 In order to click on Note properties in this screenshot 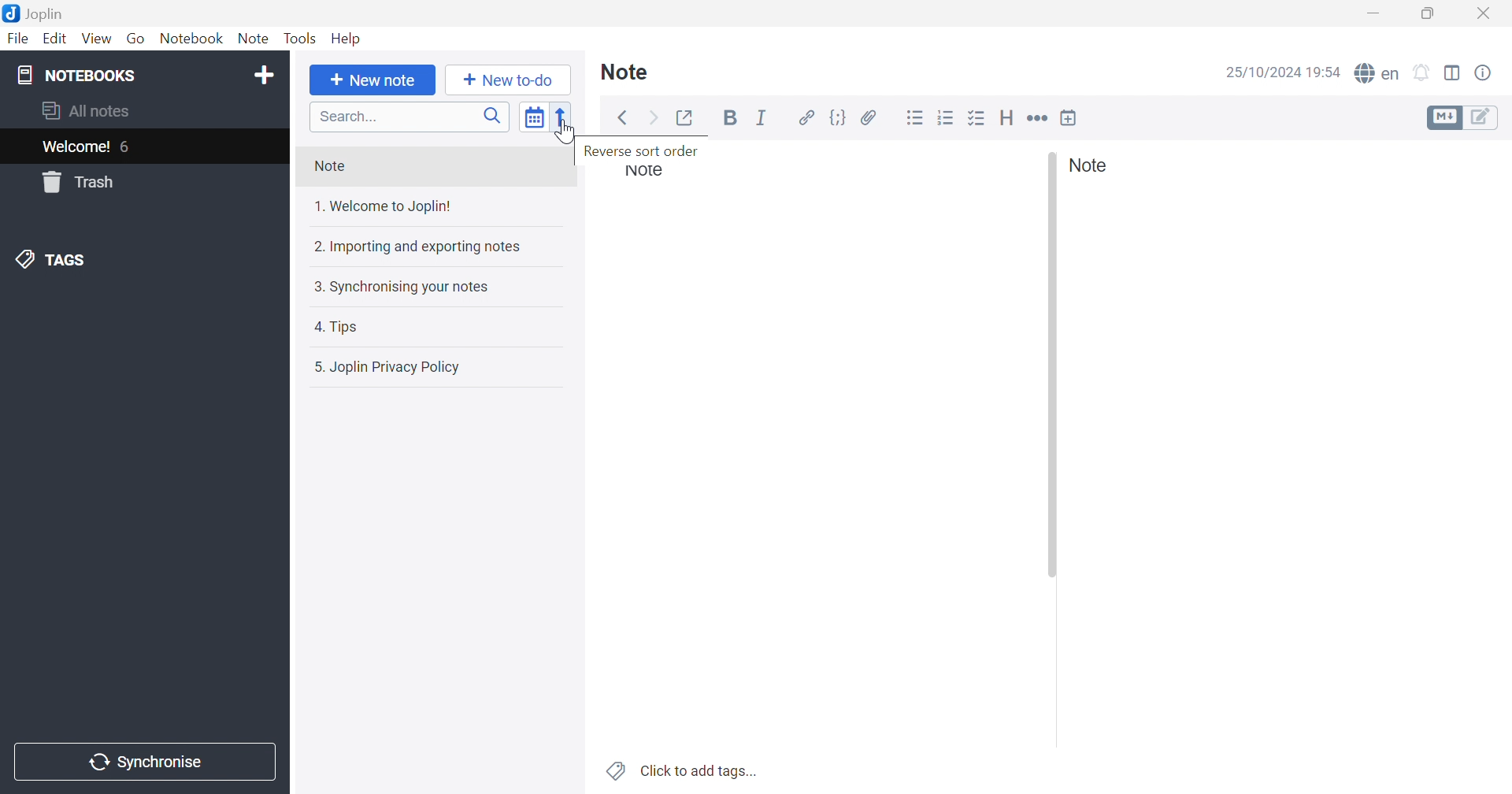, I will do `click(1484, 72)`.